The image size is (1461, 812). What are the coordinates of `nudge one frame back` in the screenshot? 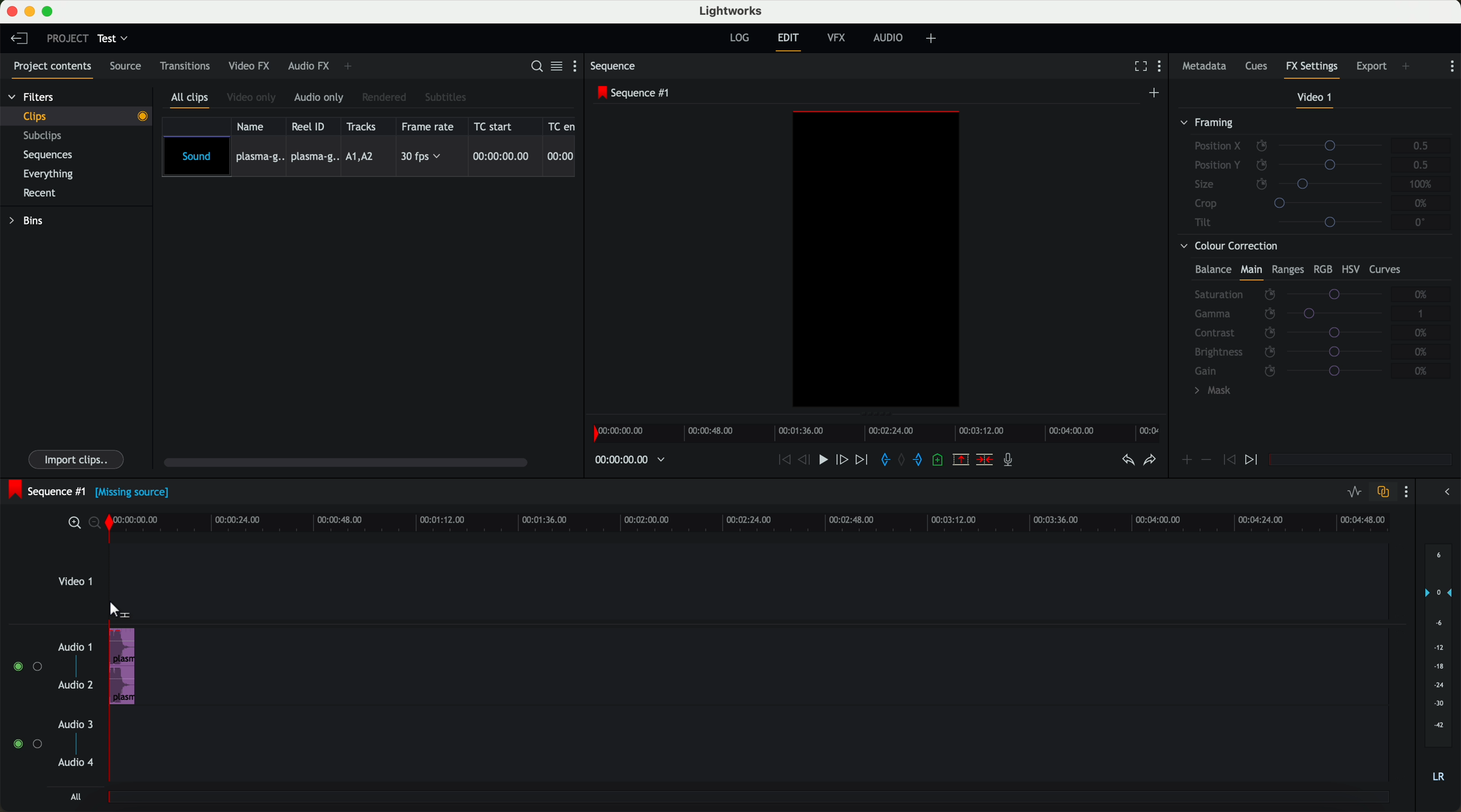 It's located at (807, 460).